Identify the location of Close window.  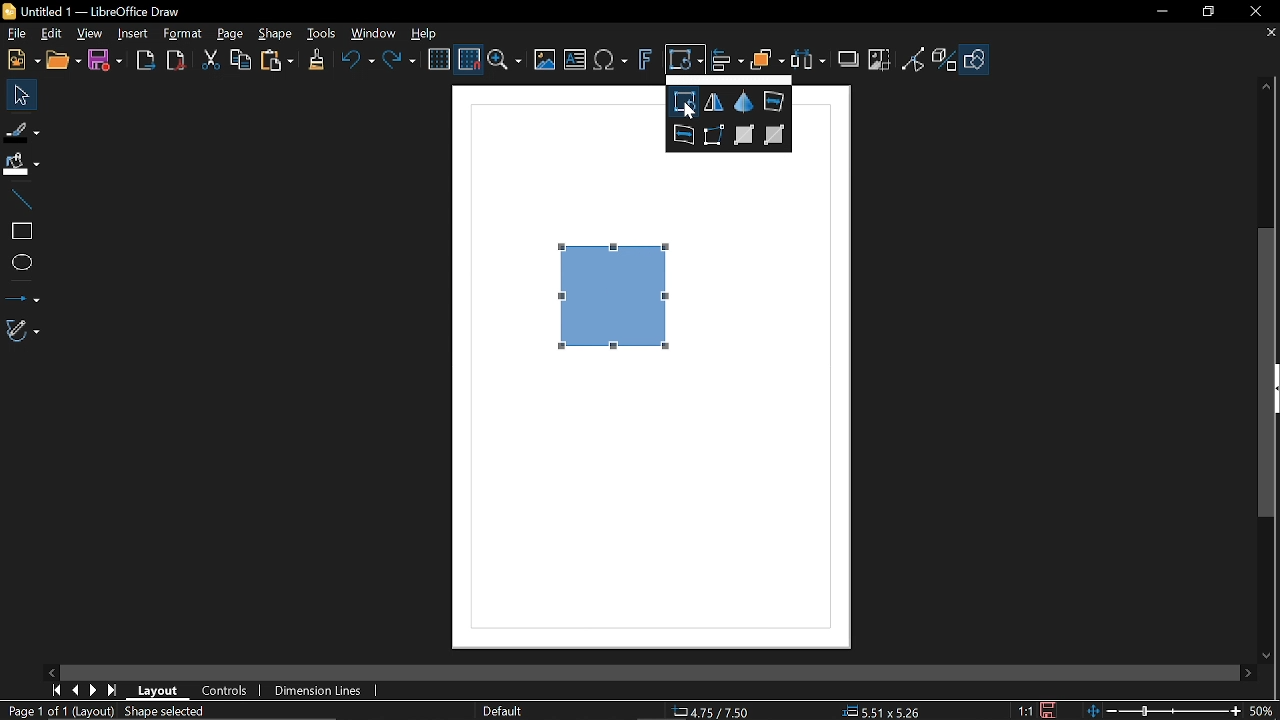
(1255, 12).